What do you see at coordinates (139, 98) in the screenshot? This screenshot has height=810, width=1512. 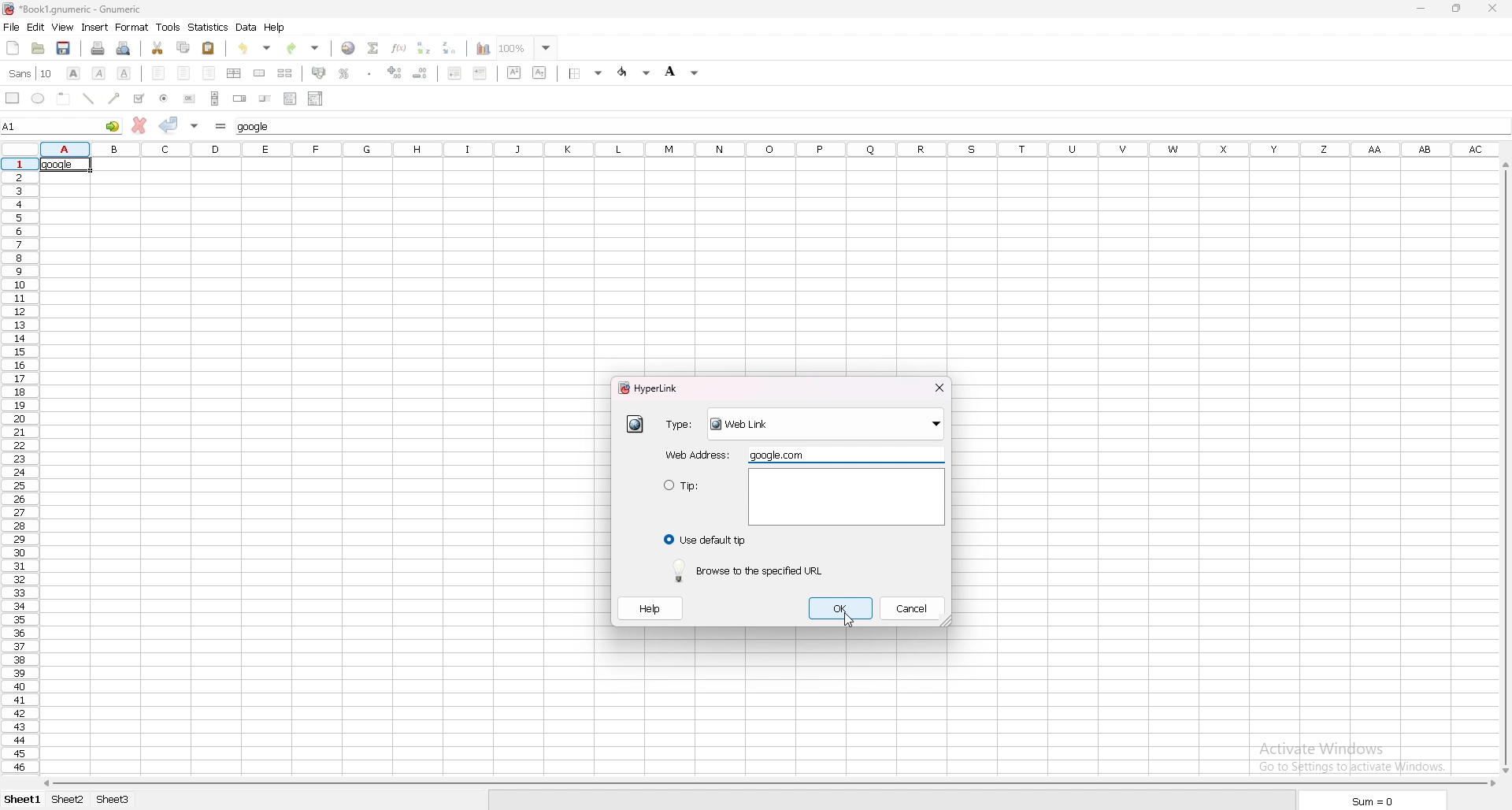 I see `tickbox` at bounding box center [139, 98].